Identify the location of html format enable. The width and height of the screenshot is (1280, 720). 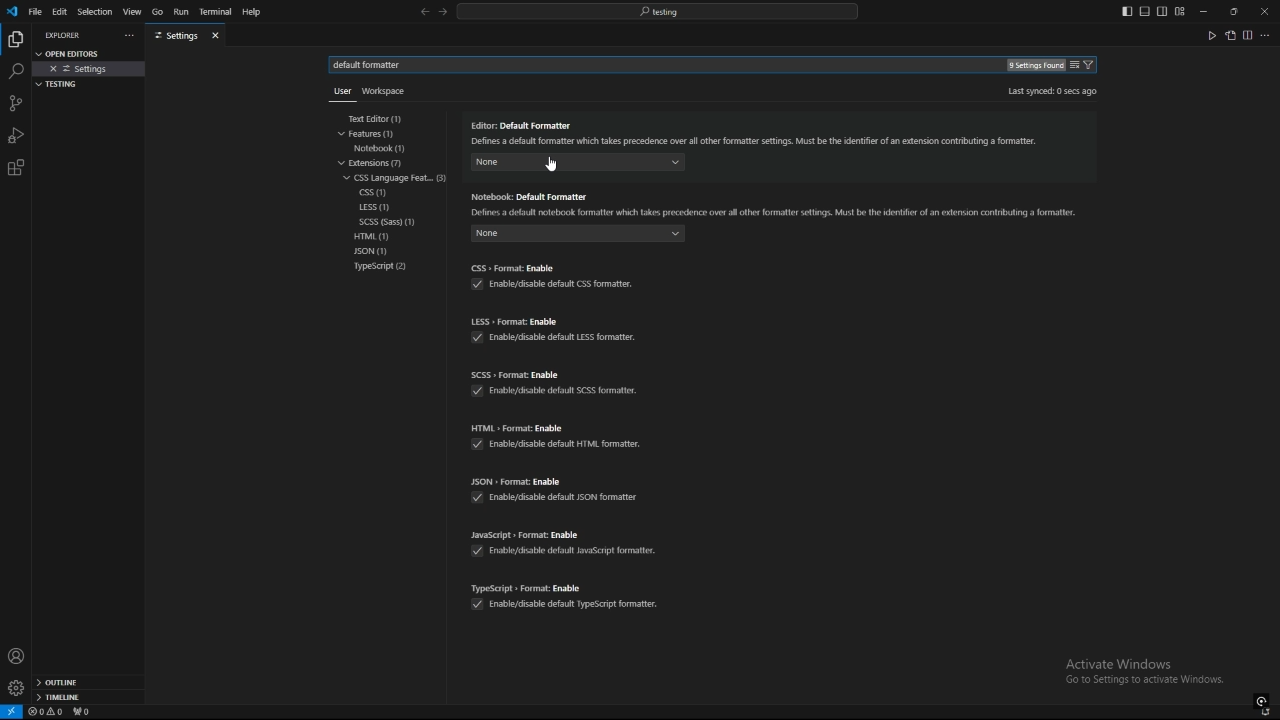
(559, 427).